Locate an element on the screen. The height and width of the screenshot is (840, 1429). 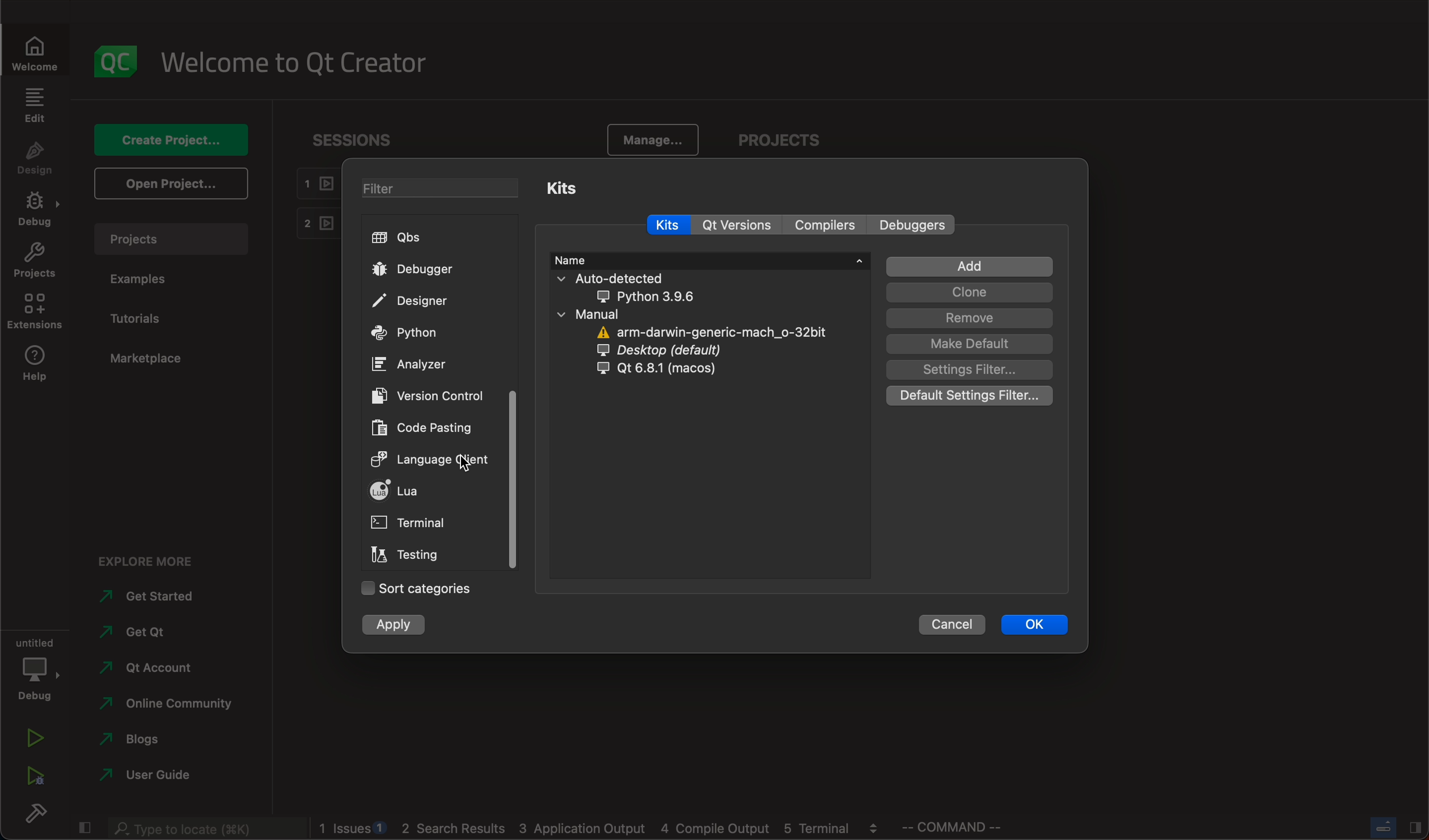
qt is located at coordinates (736, 225).